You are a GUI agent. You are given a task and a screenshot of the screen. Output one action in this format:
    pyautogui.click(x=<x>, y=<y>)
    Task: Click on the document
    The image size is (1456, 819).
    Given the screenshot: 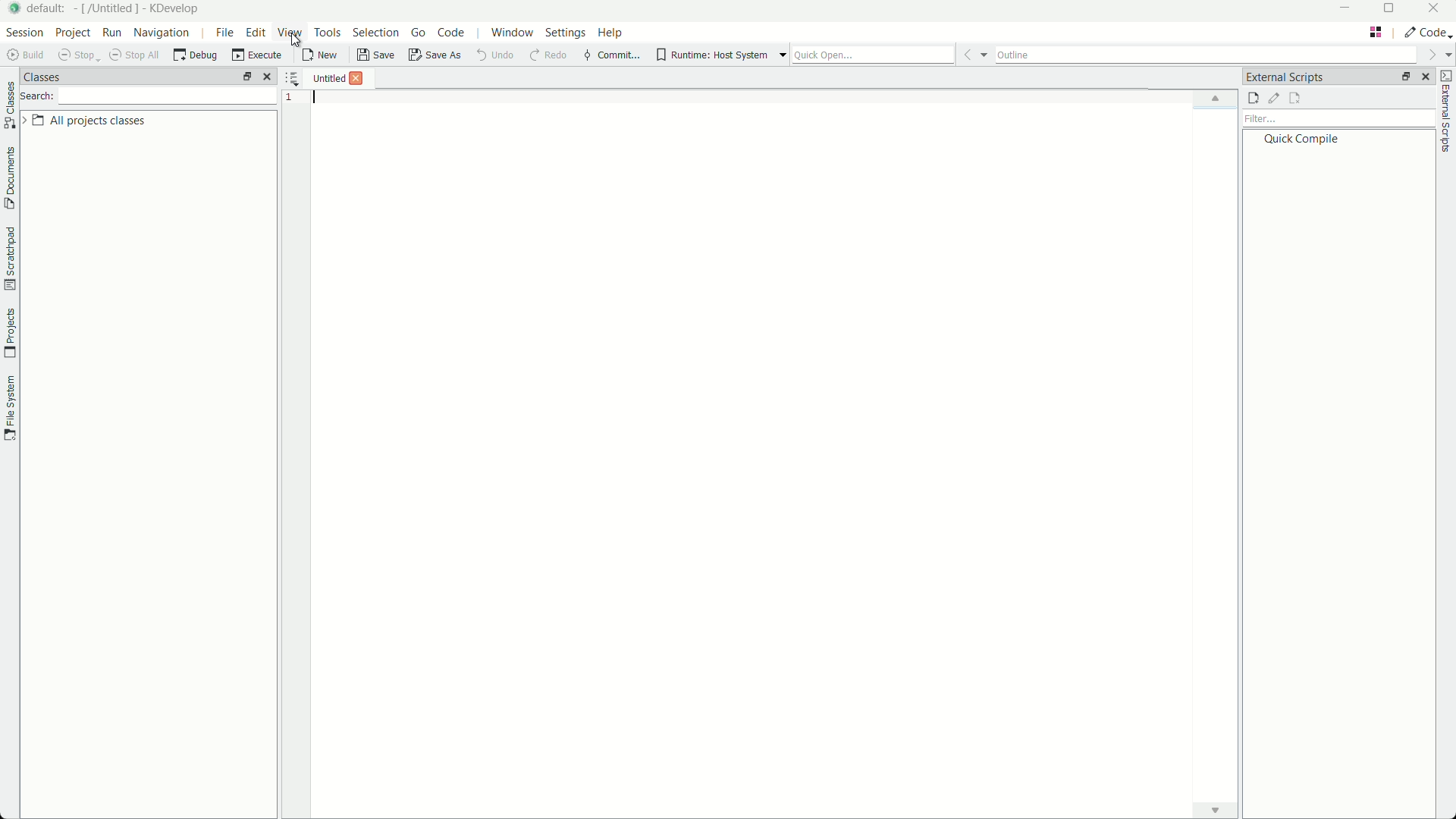 What is the action you would take?
    pyautogui.click(x=9, y=179)
    